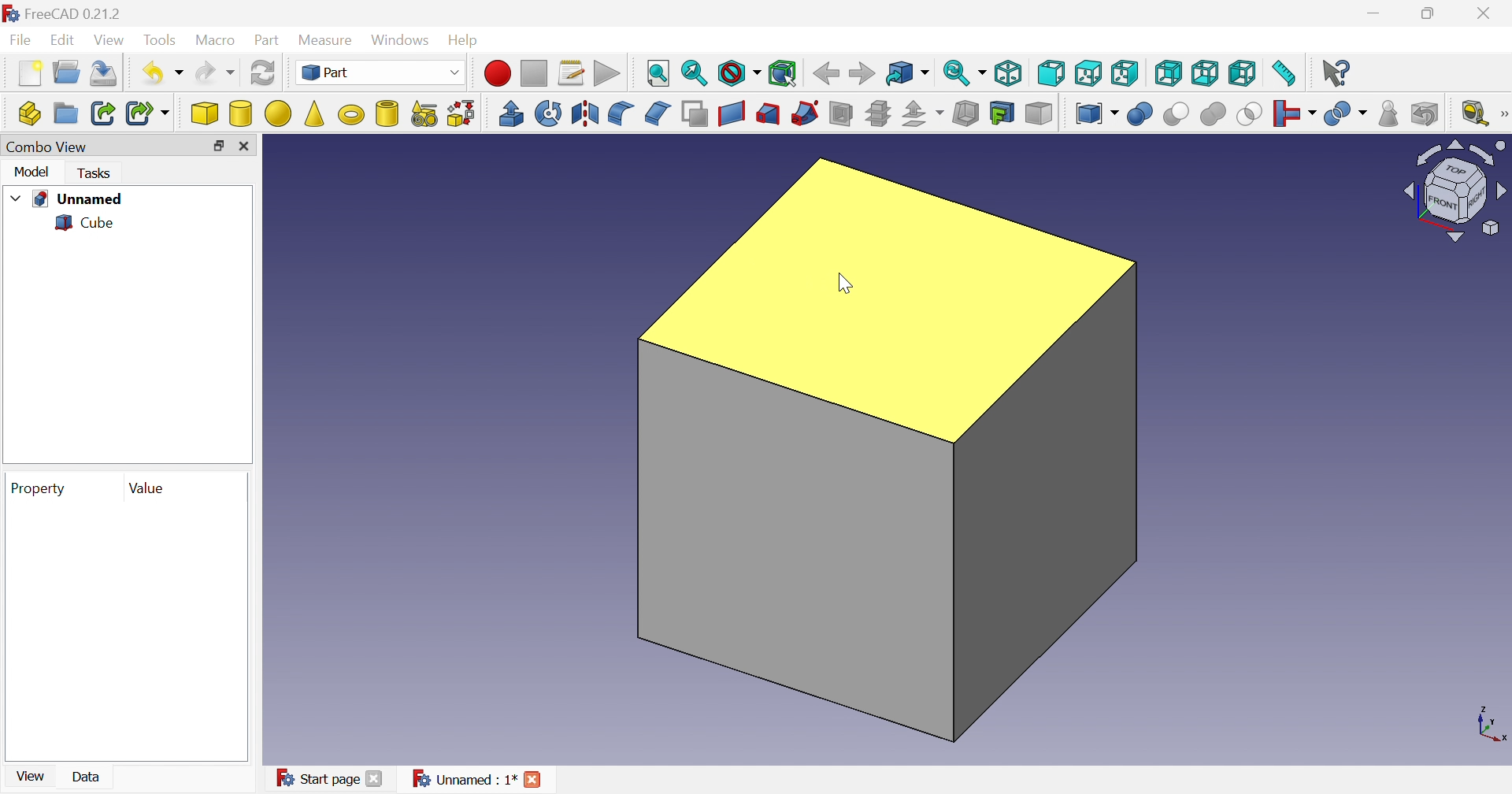 Image resolution: width=1512 pixels, height=794 pixels. Describe the element at coordinates (584, 113) in the screenshot. I see `Mirroring` at that location.